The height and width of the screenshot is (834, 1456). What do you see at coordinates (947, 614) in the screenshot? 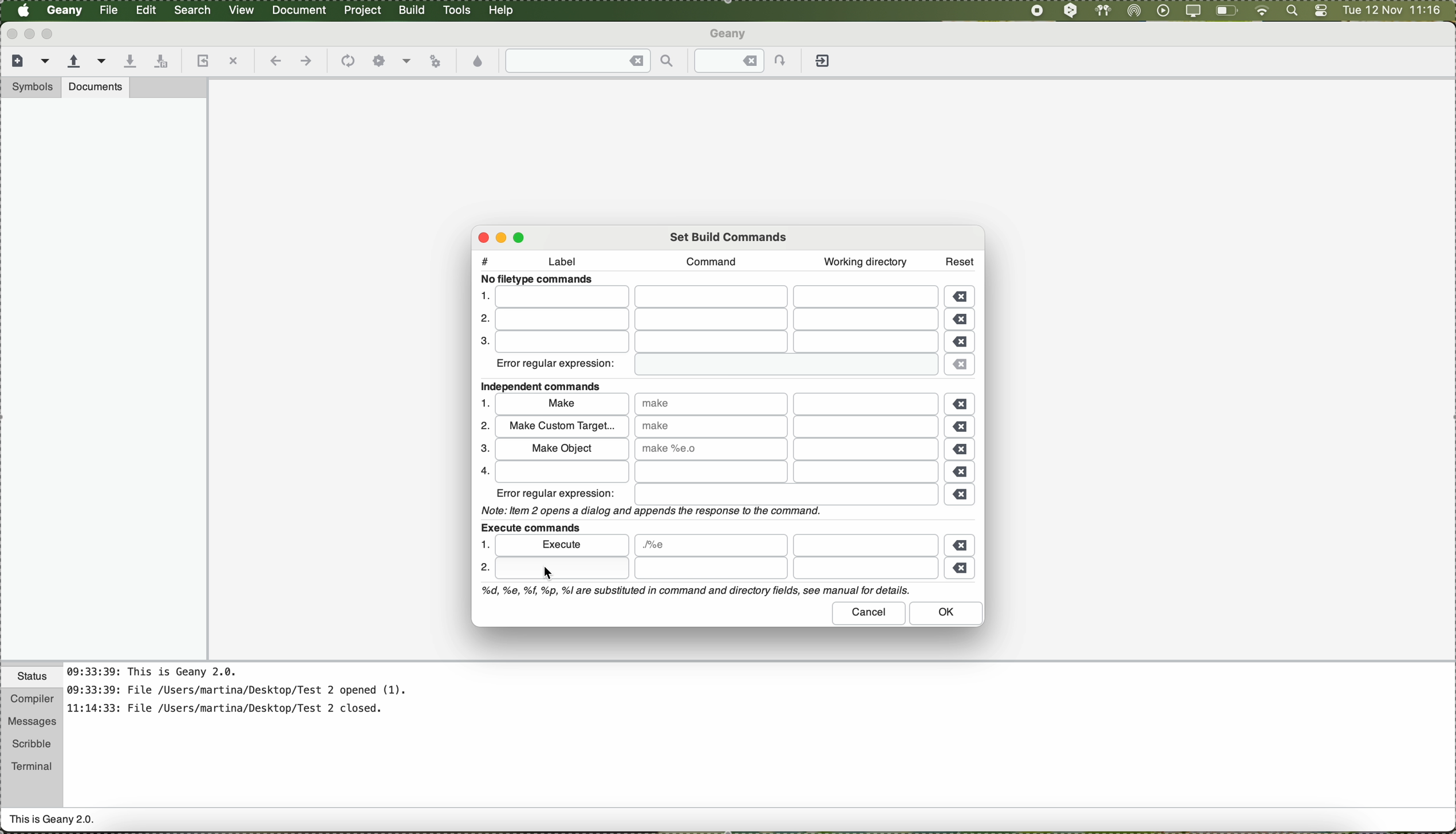
I see `OK button` at bounding box center [947, 614].